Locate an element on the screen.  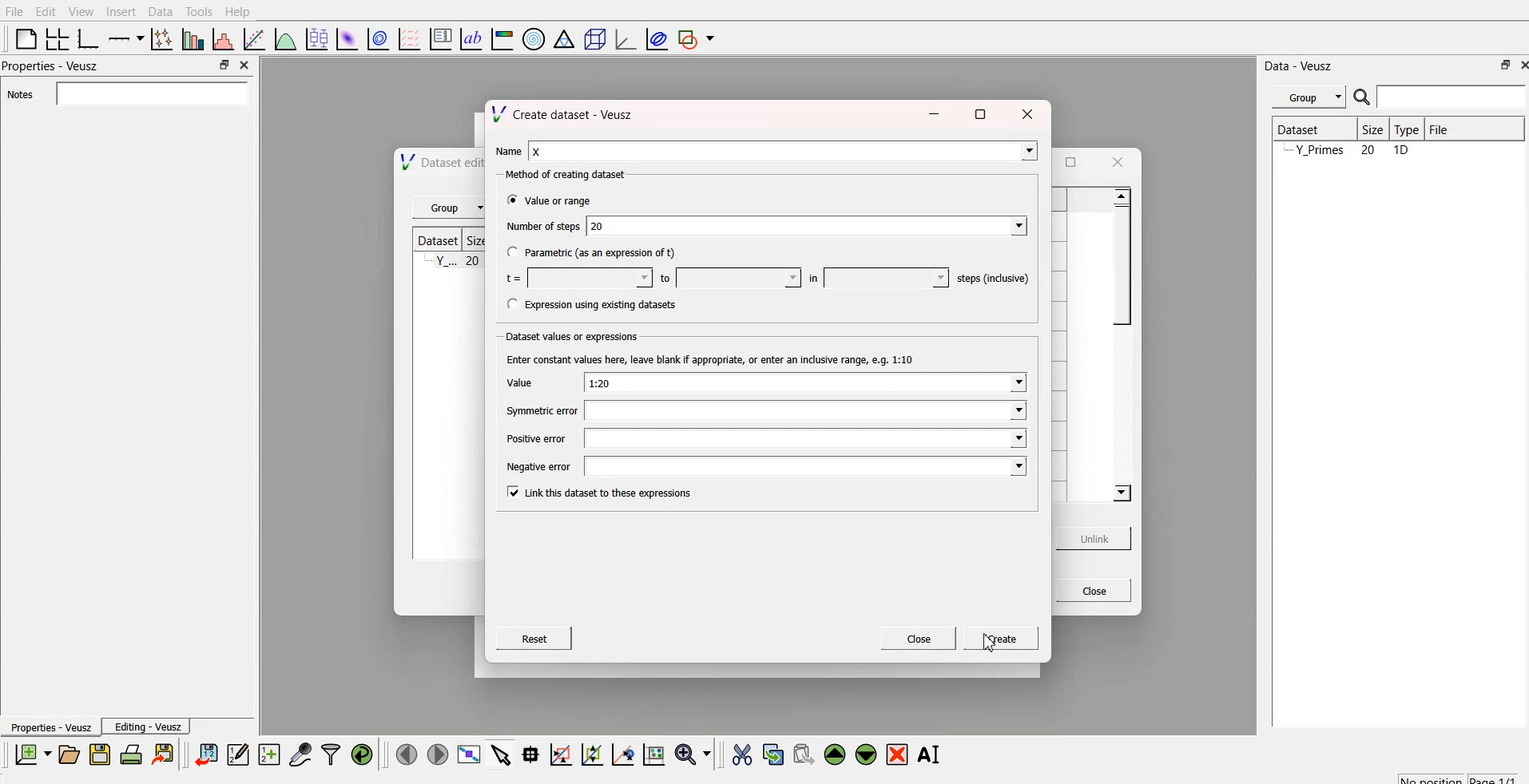
(Expression using existing datasets is located at coordinates (594, 307).